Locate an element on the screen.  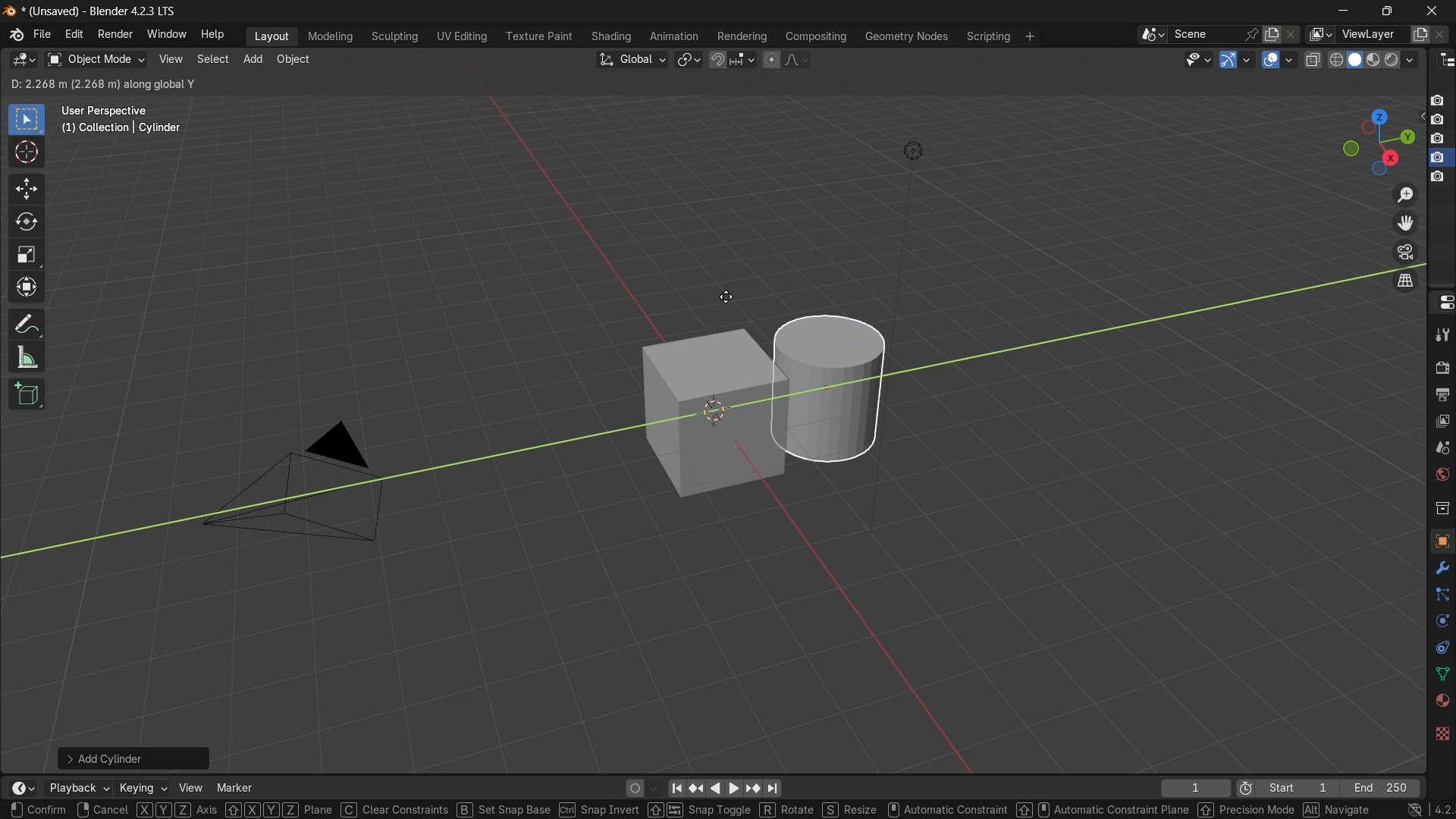
4.2.3 lts is located at coordinates (1419, 810).